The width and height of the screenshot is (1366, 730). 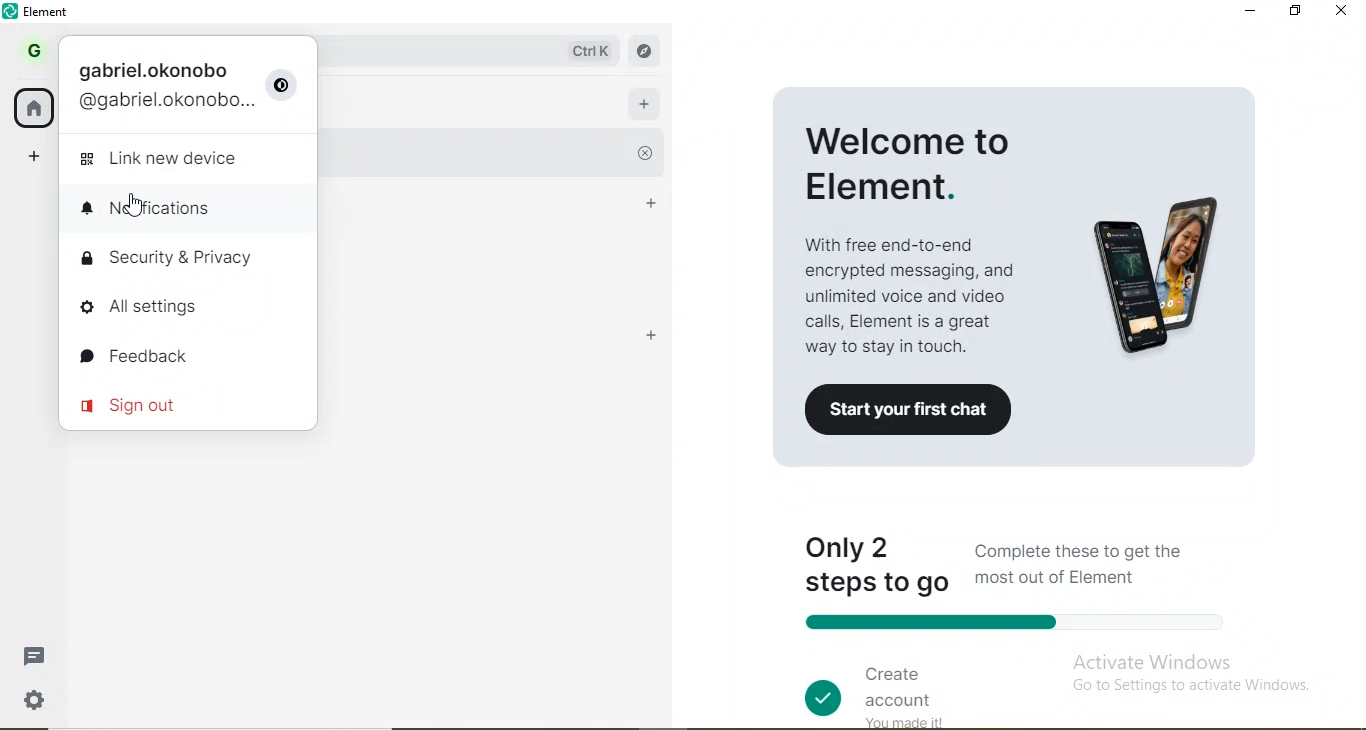 I want to click on gabriel.okonobo, so click(x=156, y=64).